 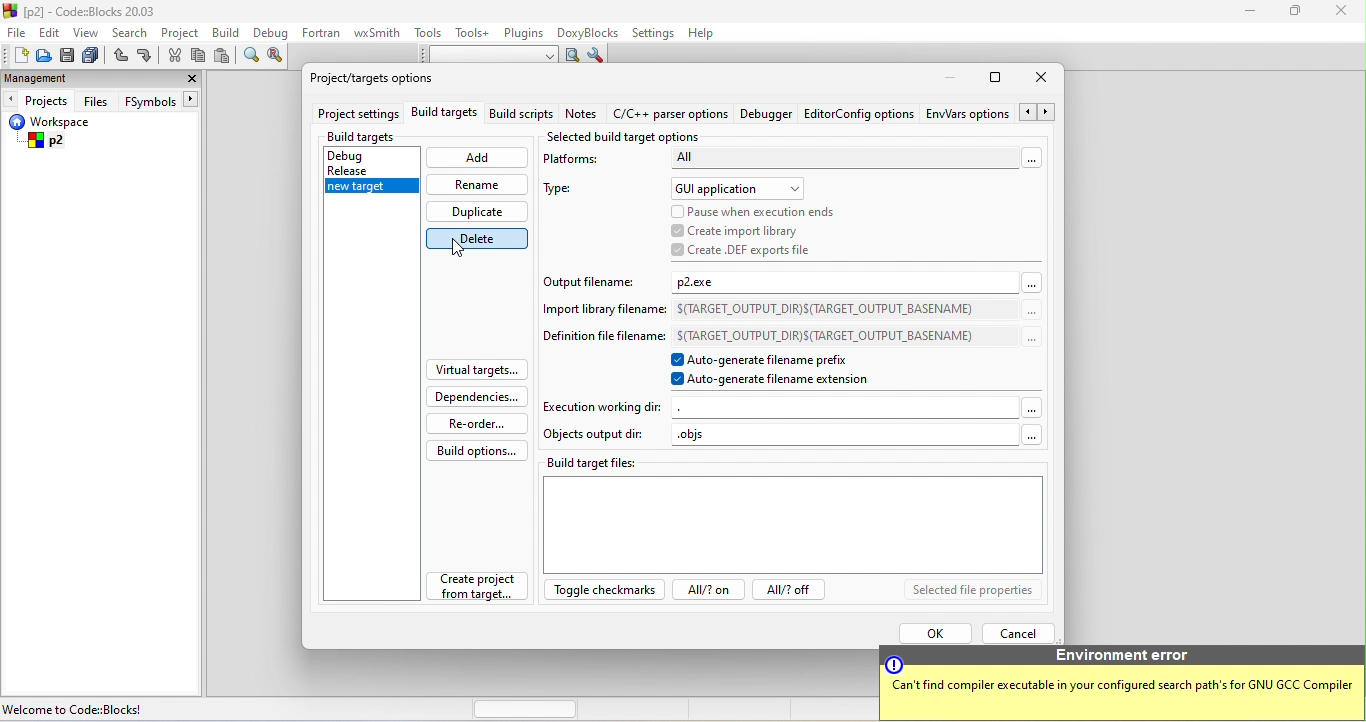 What do you see at coordinates (122, 56) in the screenshot?
I see `undo` at bounding box center [122, 56].